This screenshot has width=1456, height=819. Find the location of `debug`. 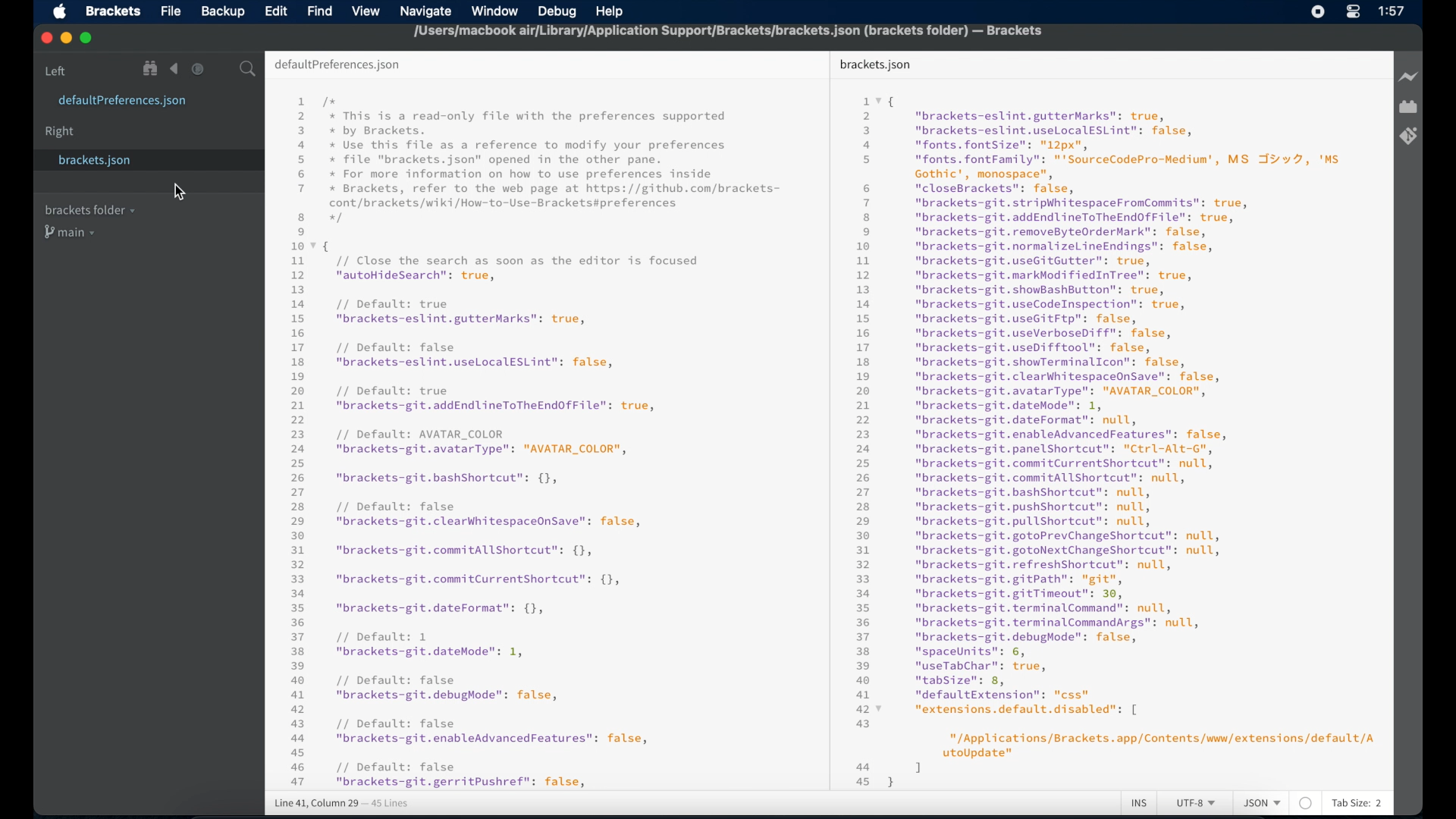

debug is located at coordinates (561, 11).